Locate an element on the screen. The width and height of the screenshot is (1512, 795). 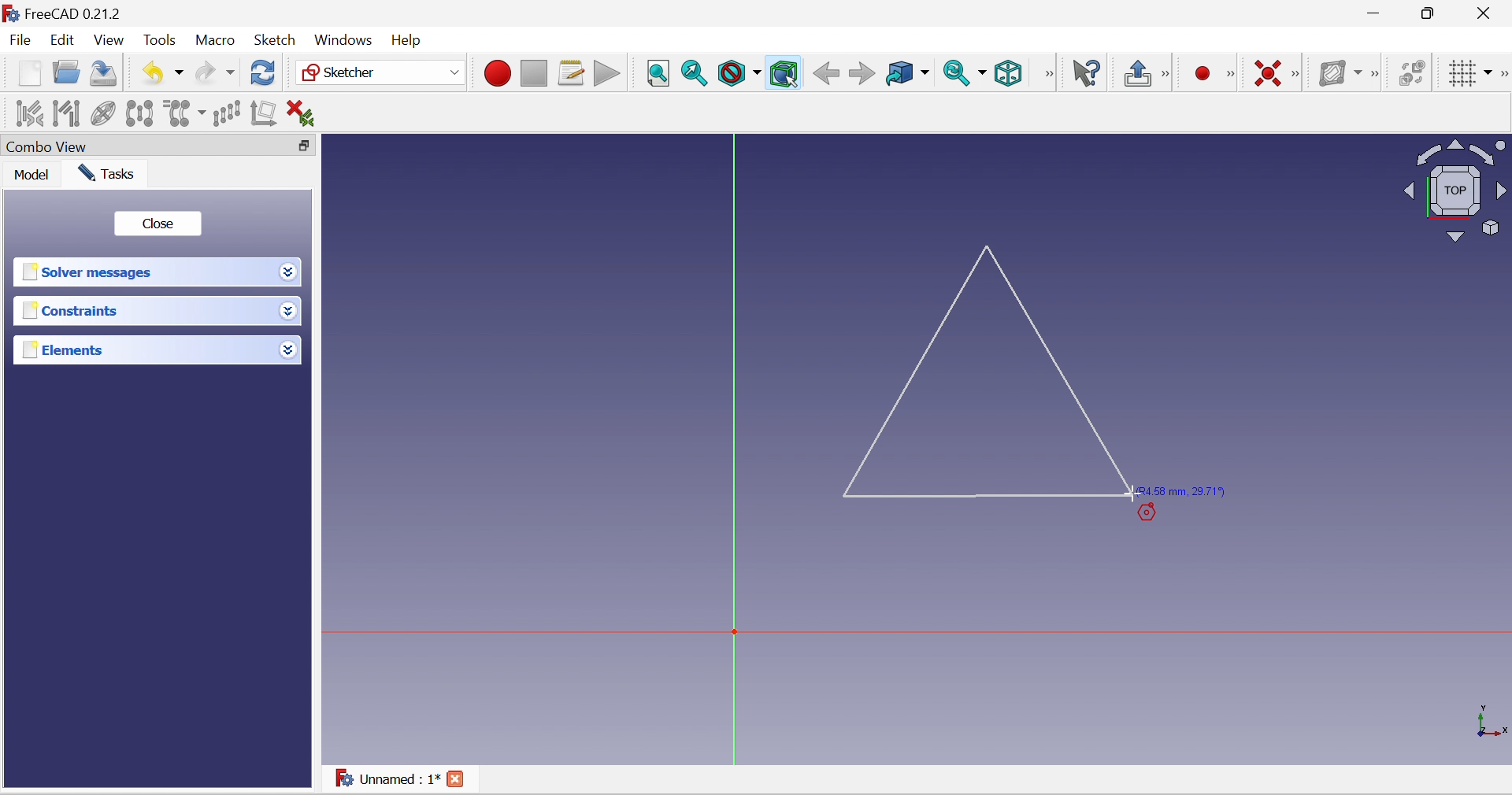
[Sketcher B-spline tools] is located at coordinates (1378, 74).